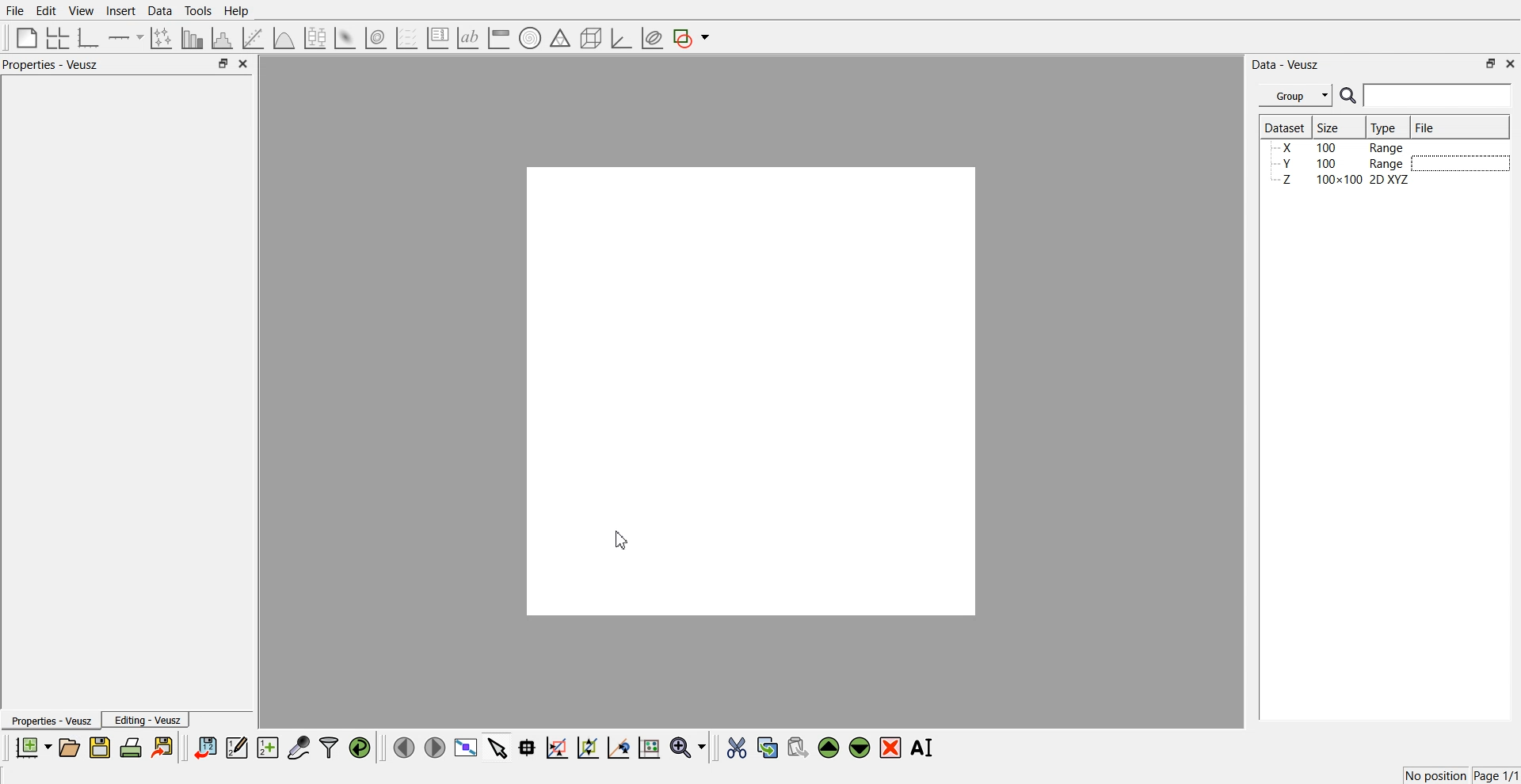  Describe the element at coordinates (1341, 147) in the screenshot. I see `X 100 Range` at that location.